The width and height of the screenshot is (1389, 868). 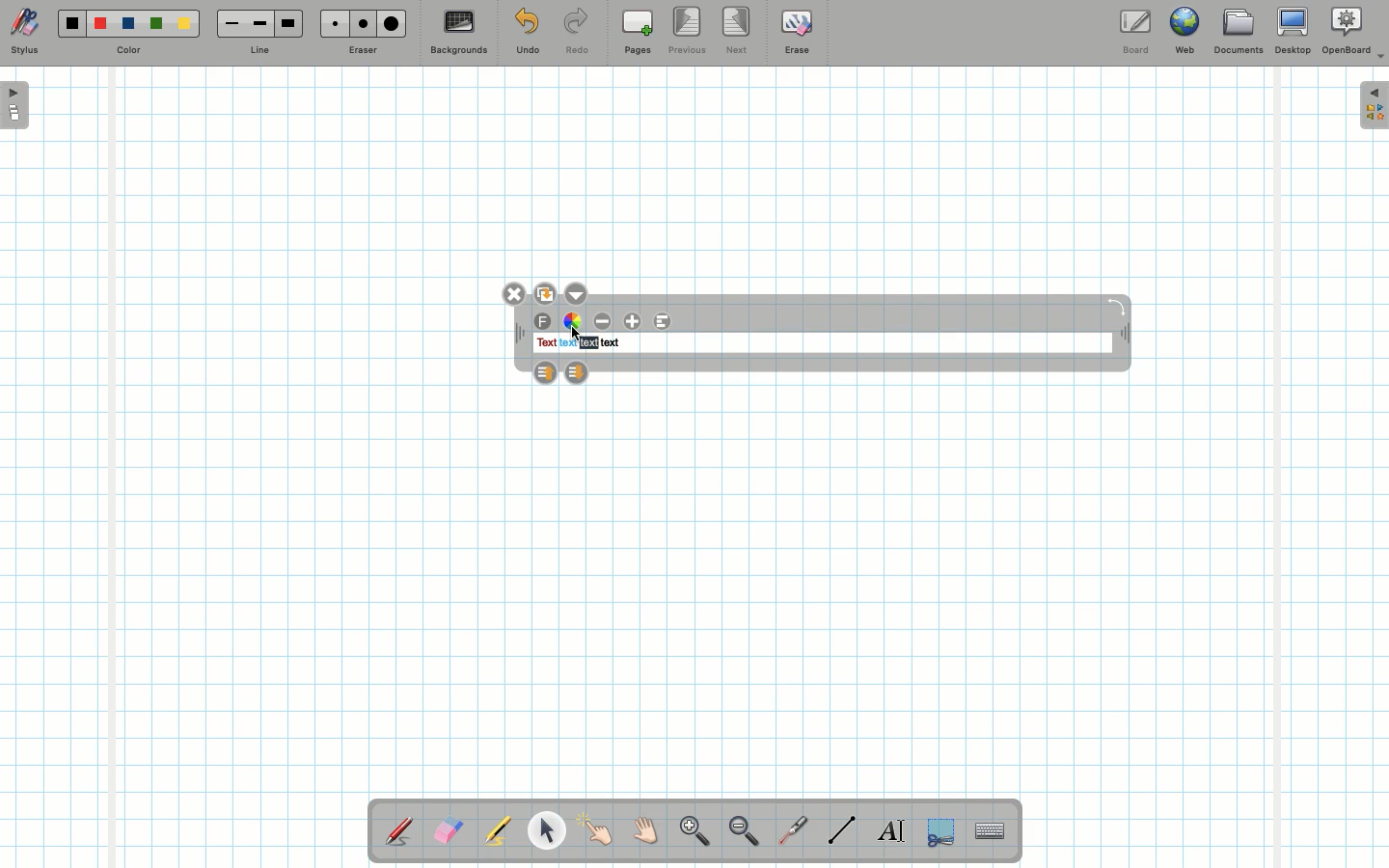 I want to click on Medium eraser, so click(x=360, y=23).